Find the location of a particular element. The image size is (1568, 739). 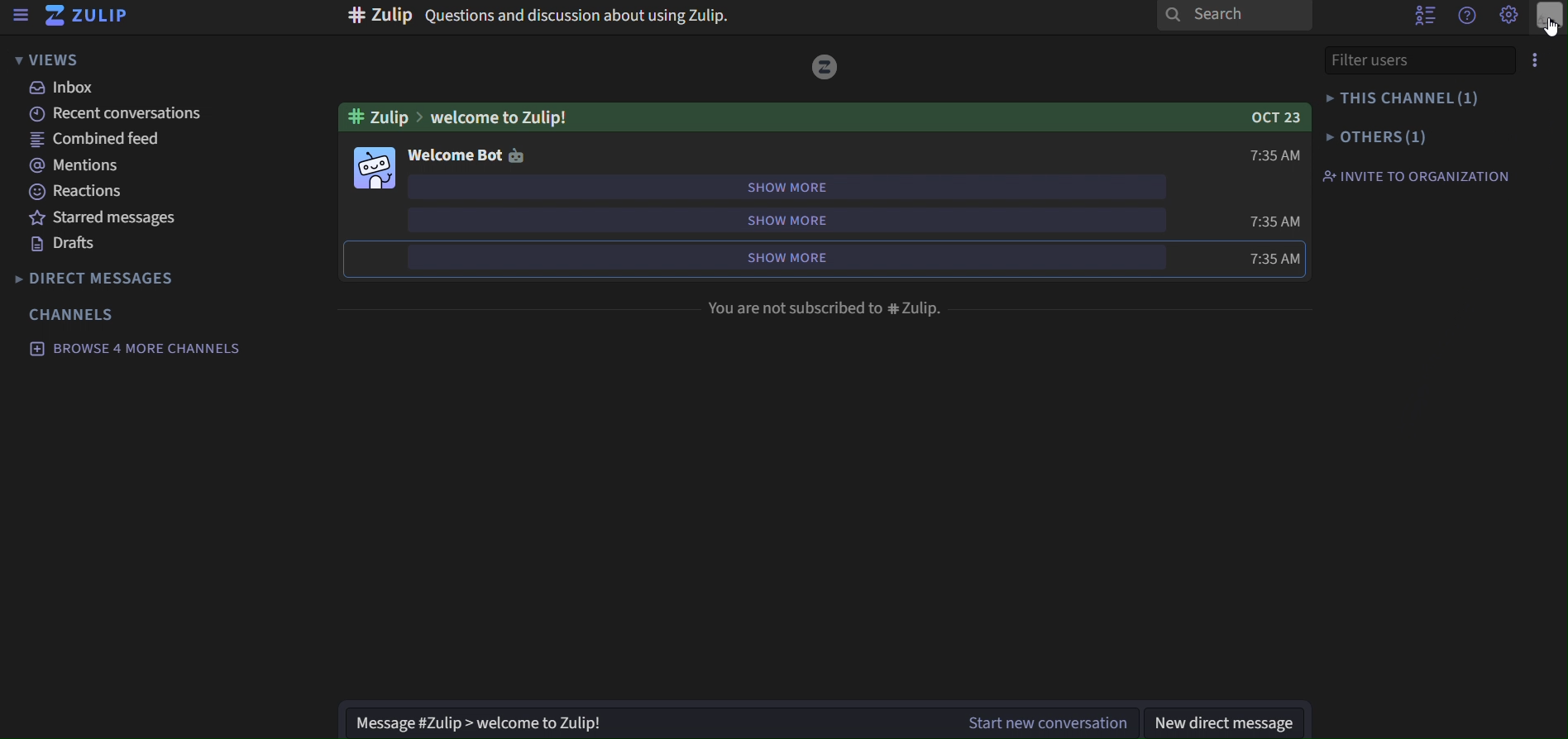

You are not subscriber #zulip is located at coordinates (828, 308).